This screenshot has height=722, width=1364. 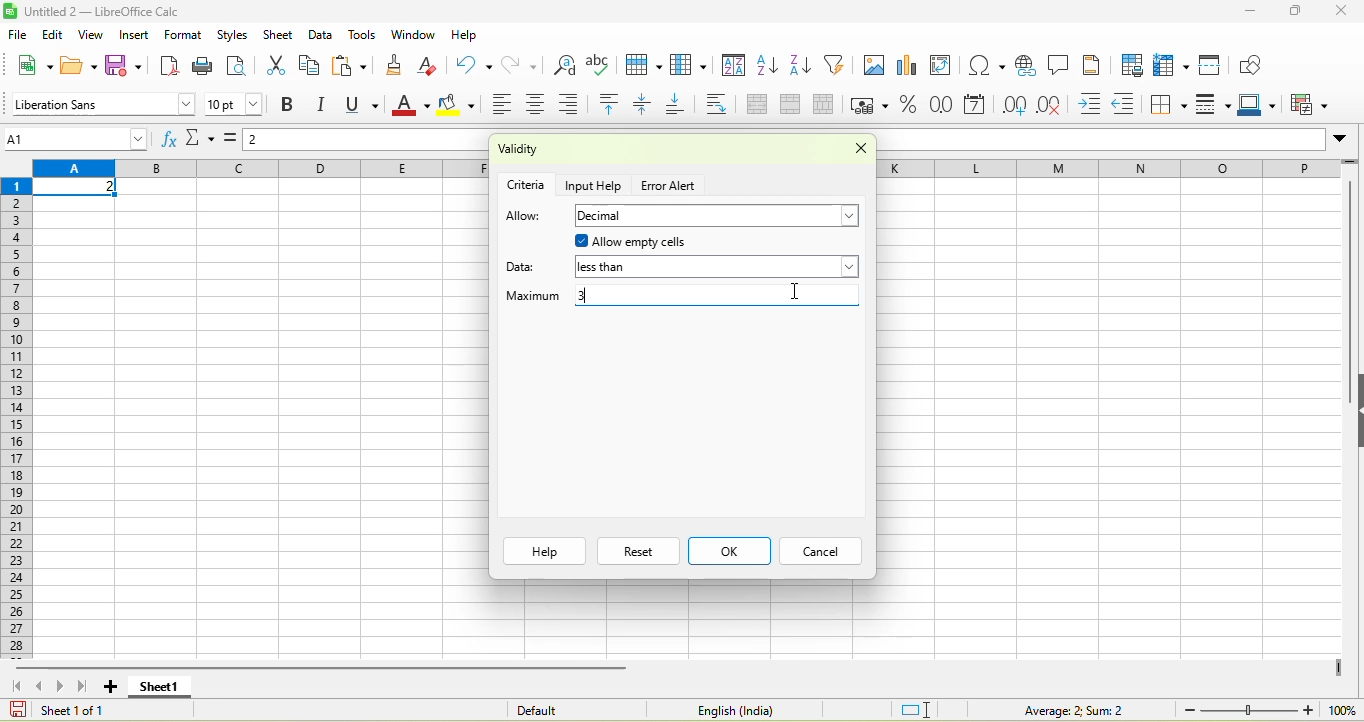 I want to click on add new sheet, so click(x=110, y=687).